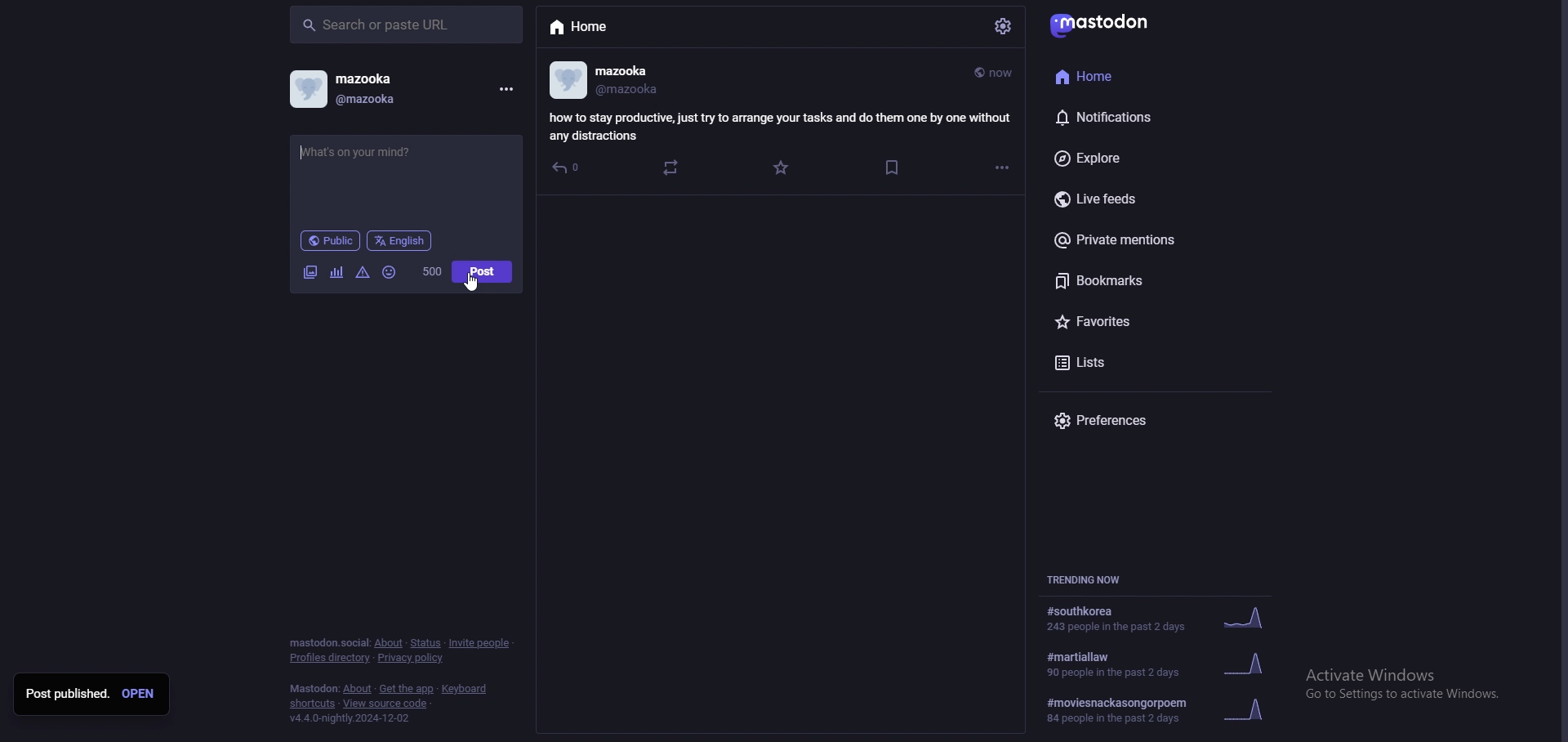 The height and width of the screenshot is (742, 1568). What do you see at coordinates (356, 689) in the screenshot?
I see `about` at bounding box center [356, 689].